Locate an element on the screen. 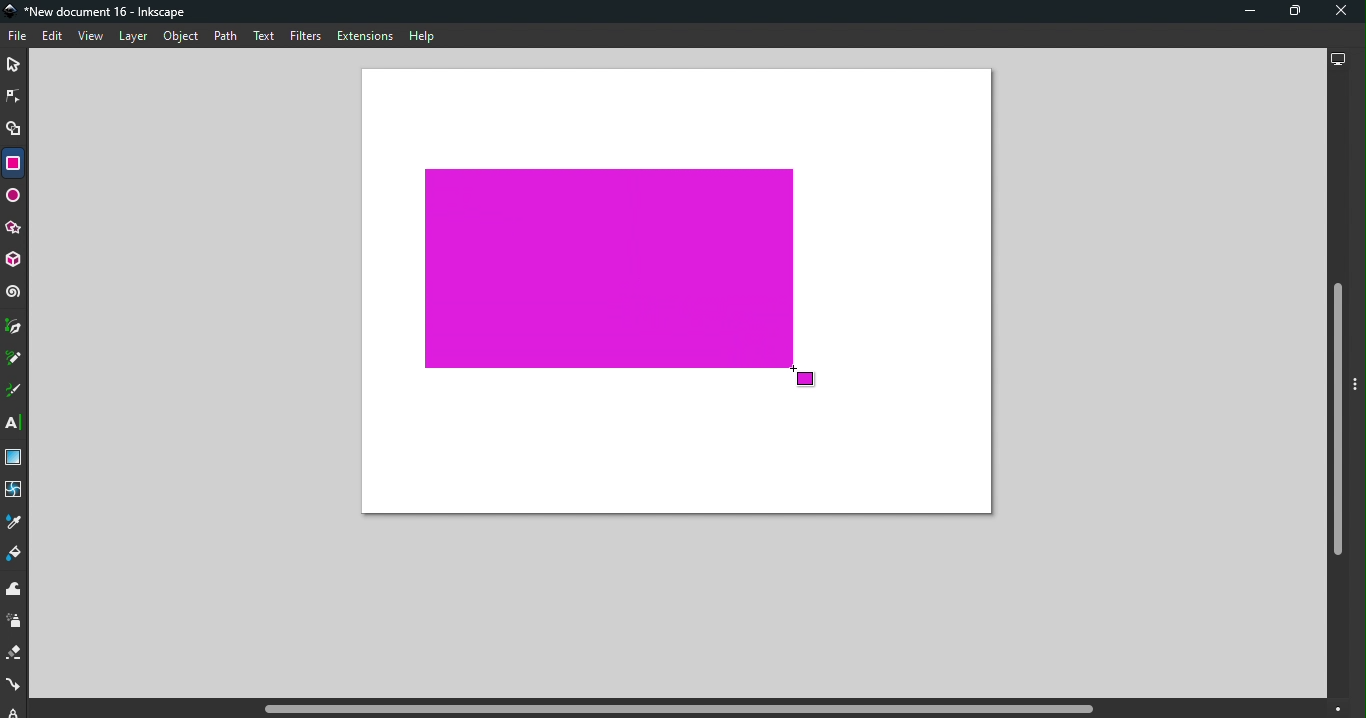 The width and height of the screenshot is (1366, 718). Document name is located at coordinates (100, 12).